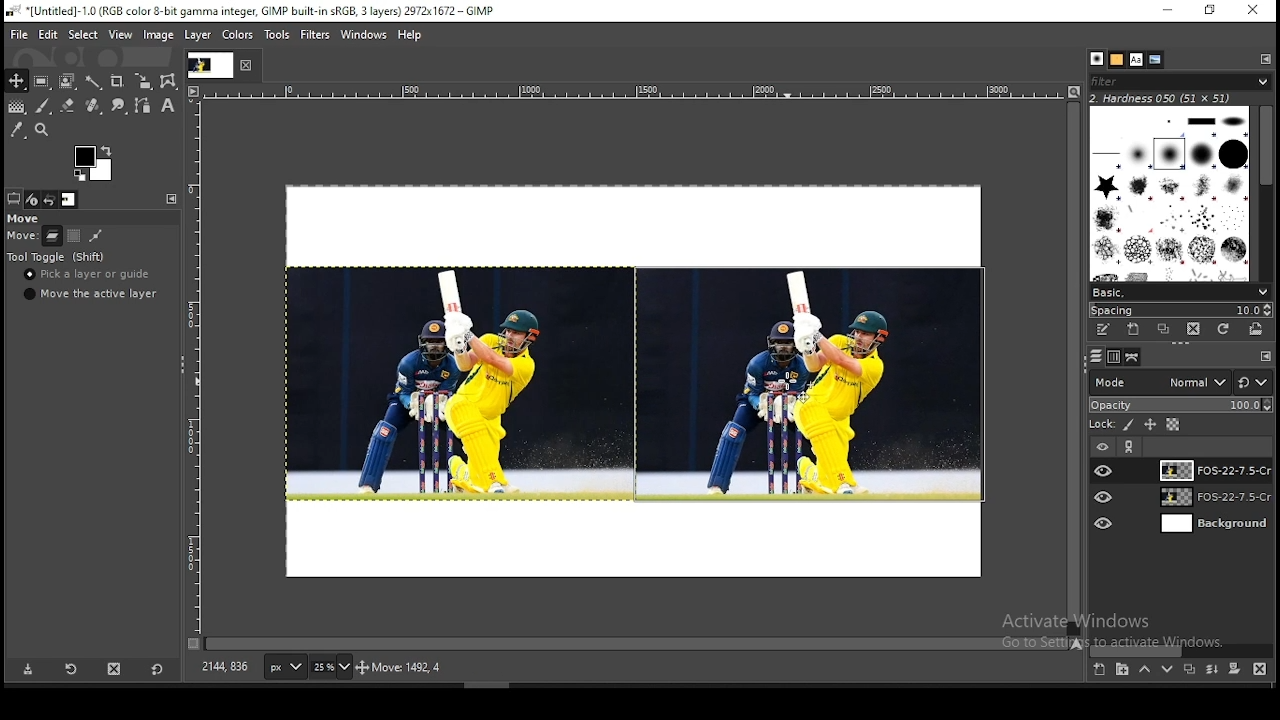 Image resolution: width=1280 pixels, height=720 pixels. I want to click on Minimise , so click(1167, 10).